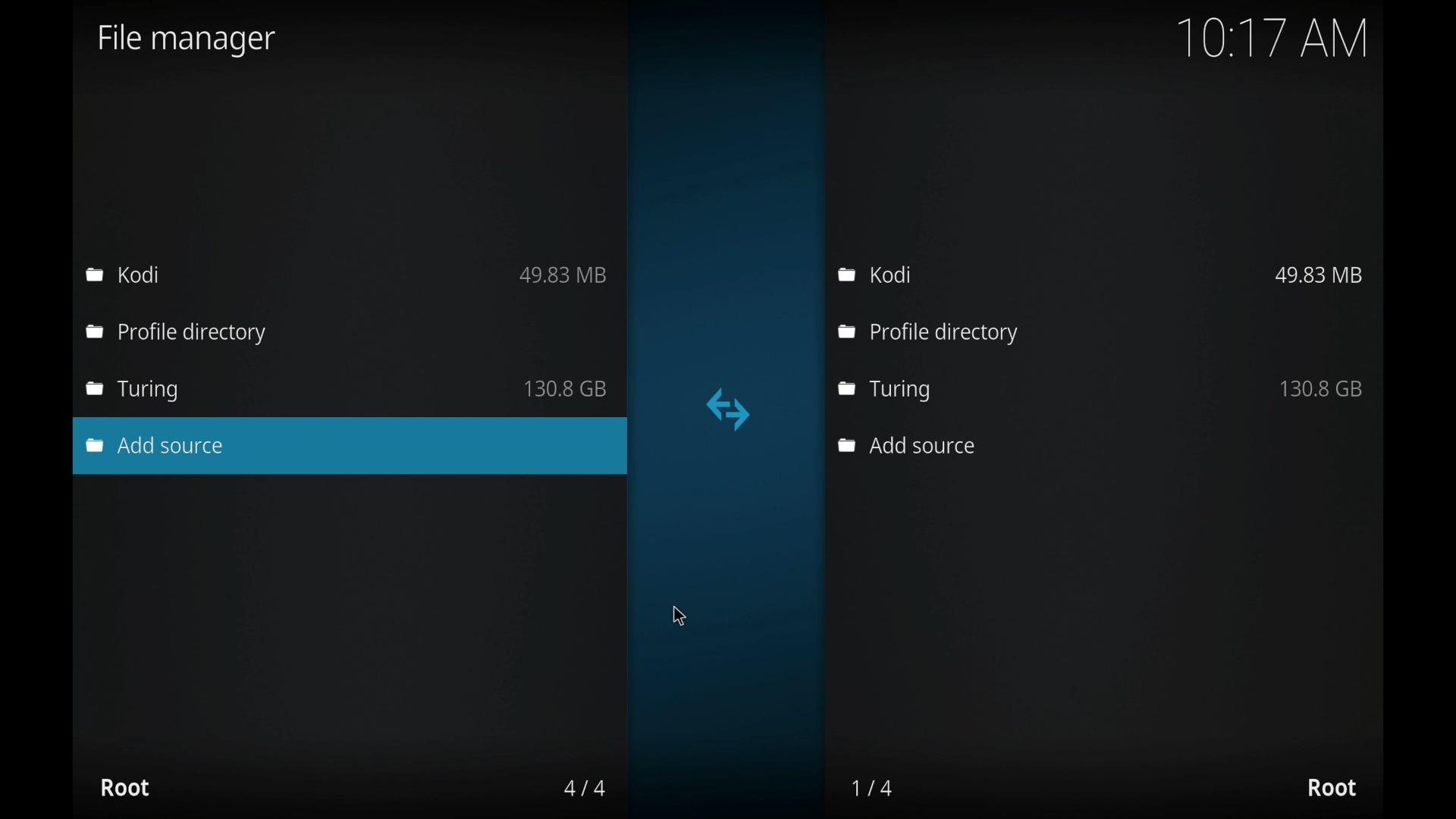  Describe the element at coordinates (679, 615) in the screenshot. I see `cursor` at that location.